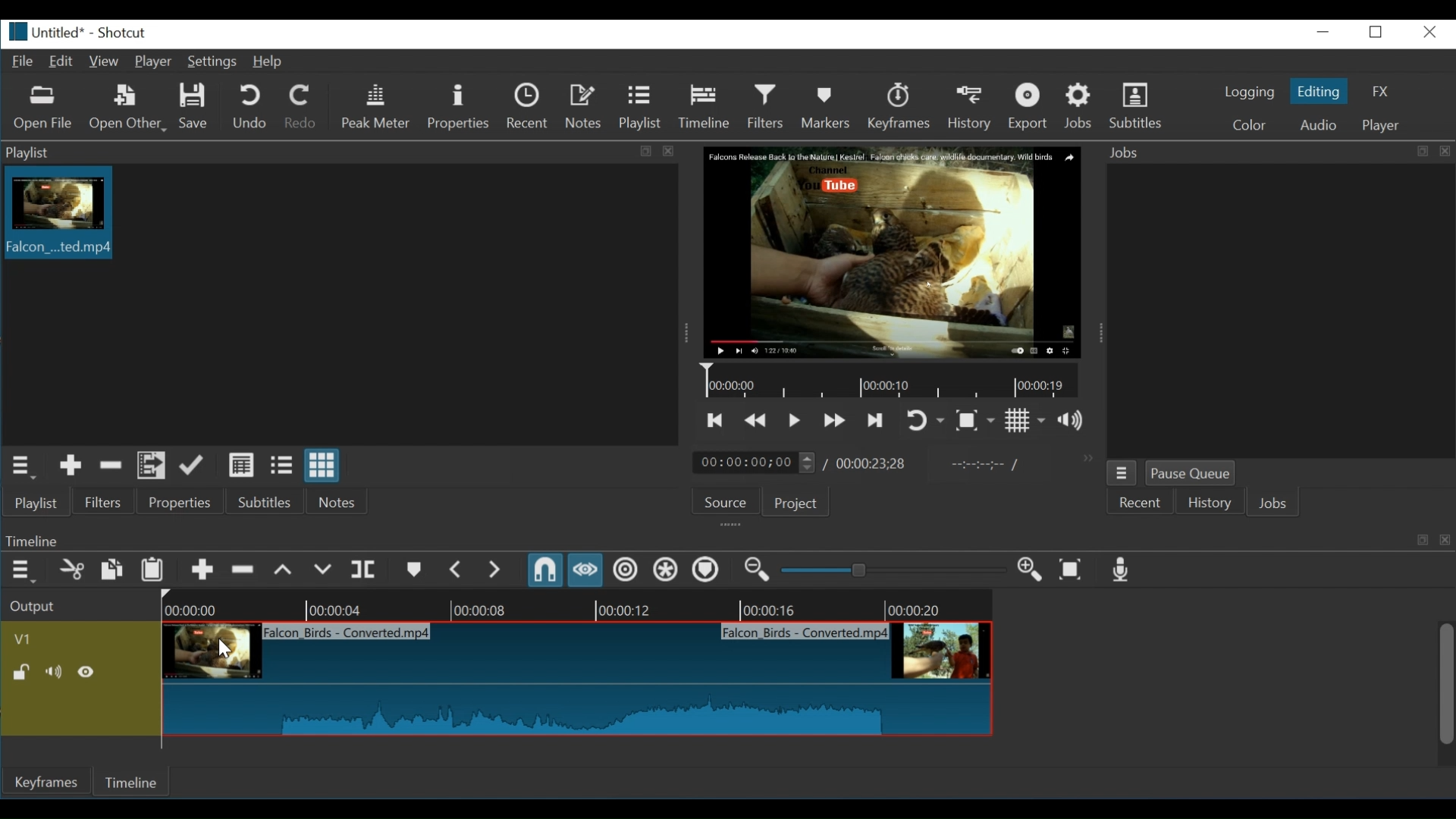 Image resolution: width=1456 pixels, height=819 pixels. Describe the element at coordinates (252, 106) in the screenshot. I see `Undo` at that location.